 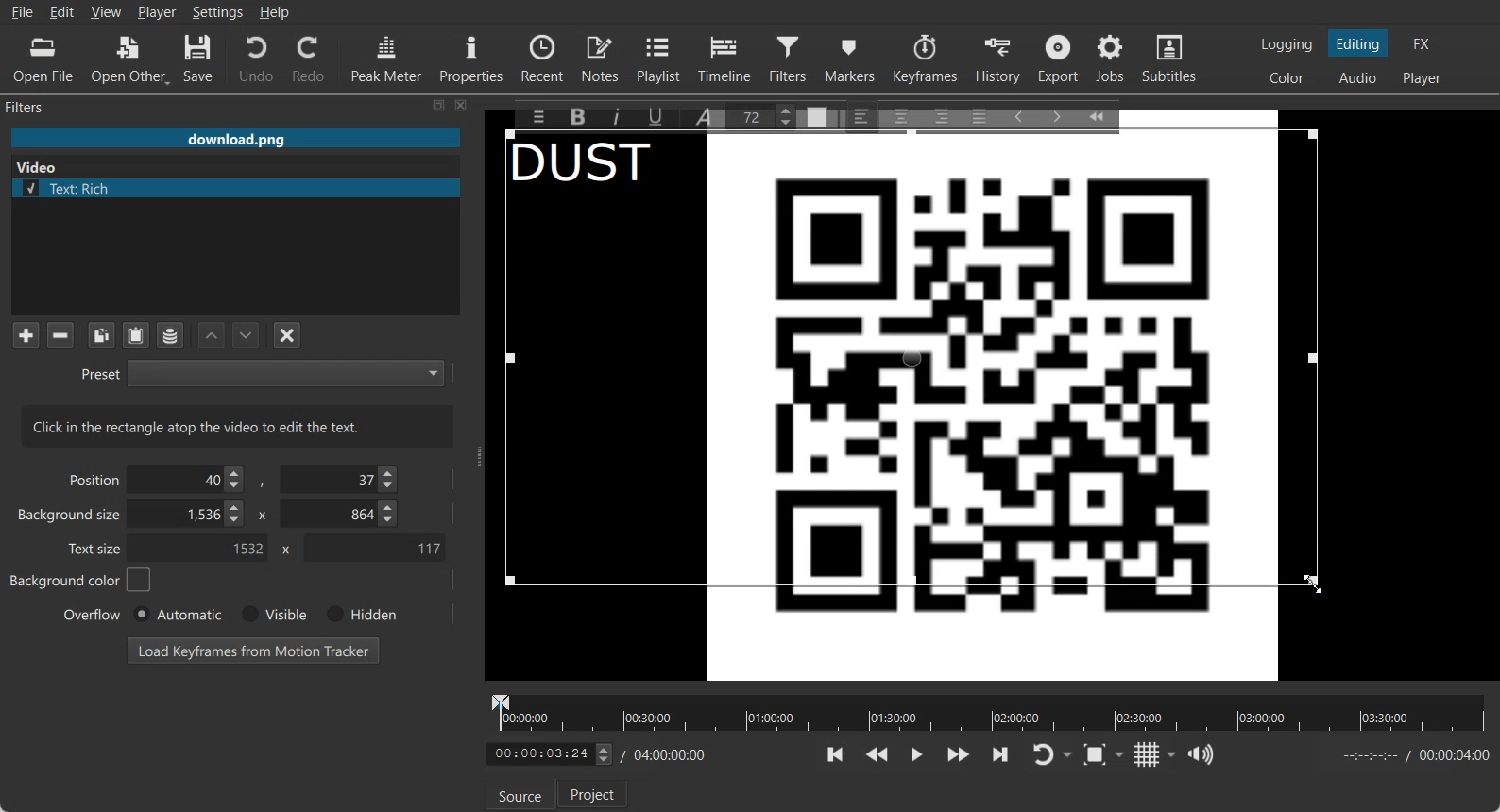 I want to click on Markers, so click(x=851, y=58).